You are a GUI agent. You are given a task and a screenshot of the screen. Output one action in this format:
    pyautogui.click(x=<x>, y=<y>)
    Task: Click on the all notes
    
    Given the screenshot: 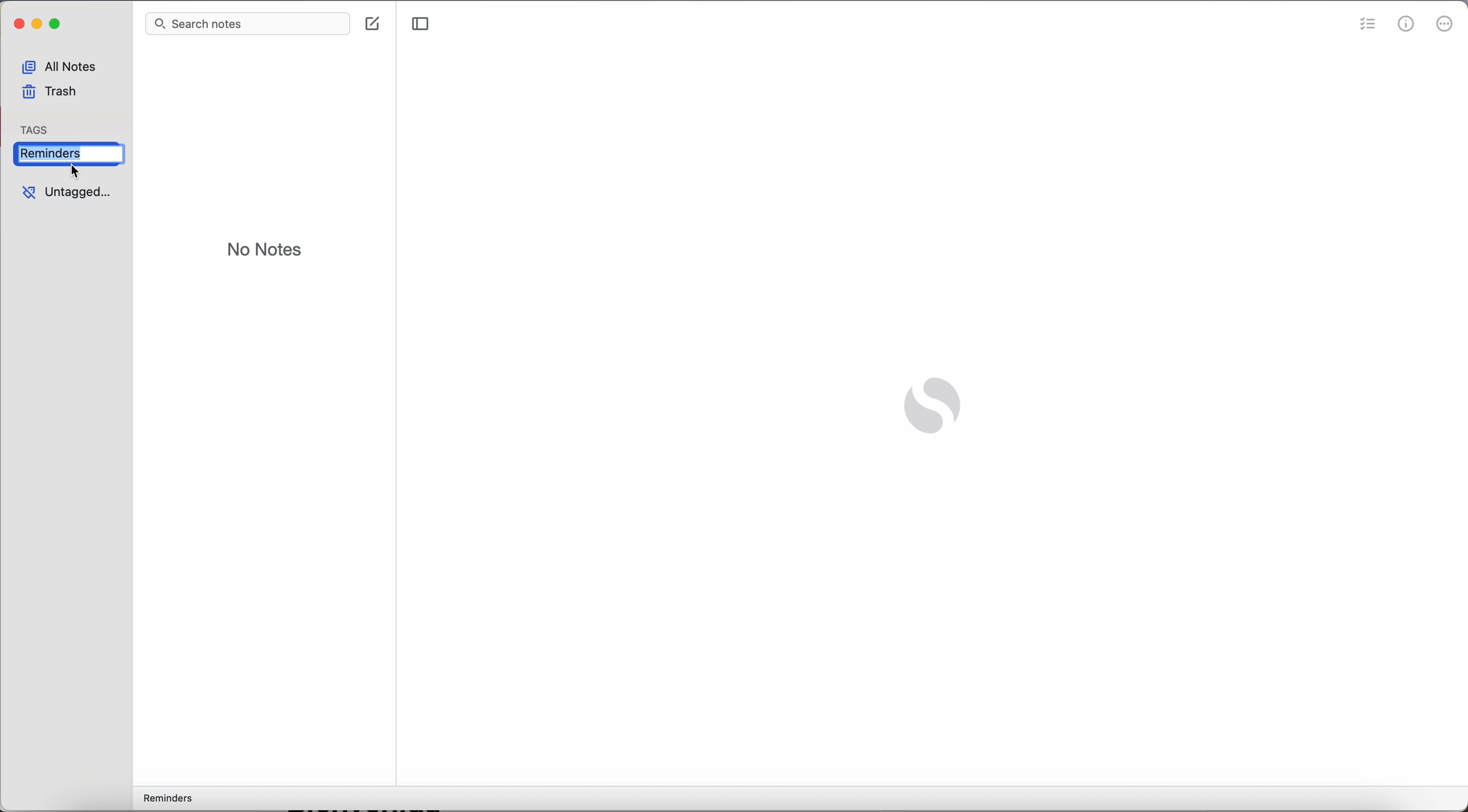 What is the action you would take?
    pyautogui.click(x=64, y=64)
    